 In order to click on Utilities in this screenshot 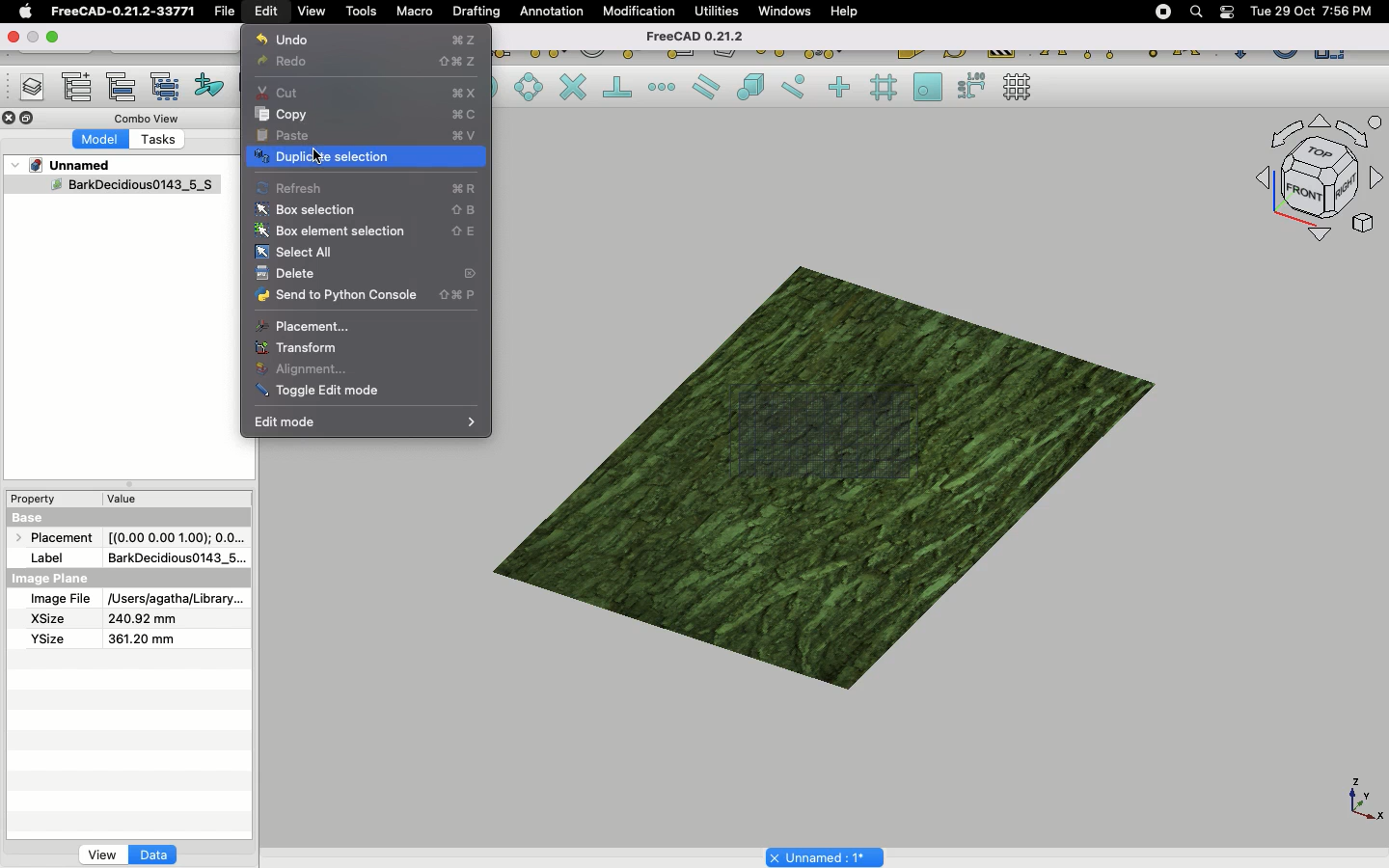, I will do `click(717, 12)`.